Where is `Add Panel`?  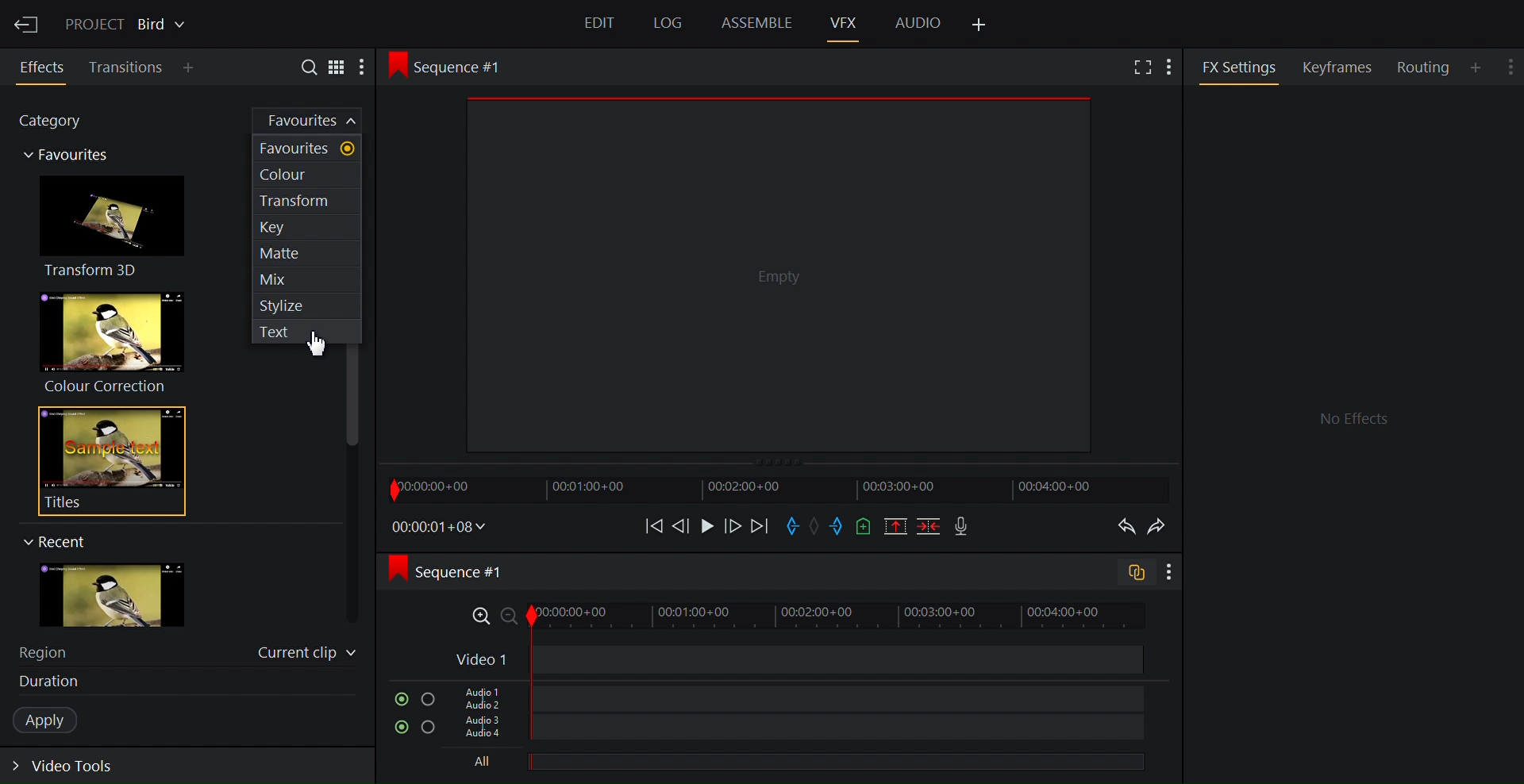
Add Panel is located at coordinates (192, 69).